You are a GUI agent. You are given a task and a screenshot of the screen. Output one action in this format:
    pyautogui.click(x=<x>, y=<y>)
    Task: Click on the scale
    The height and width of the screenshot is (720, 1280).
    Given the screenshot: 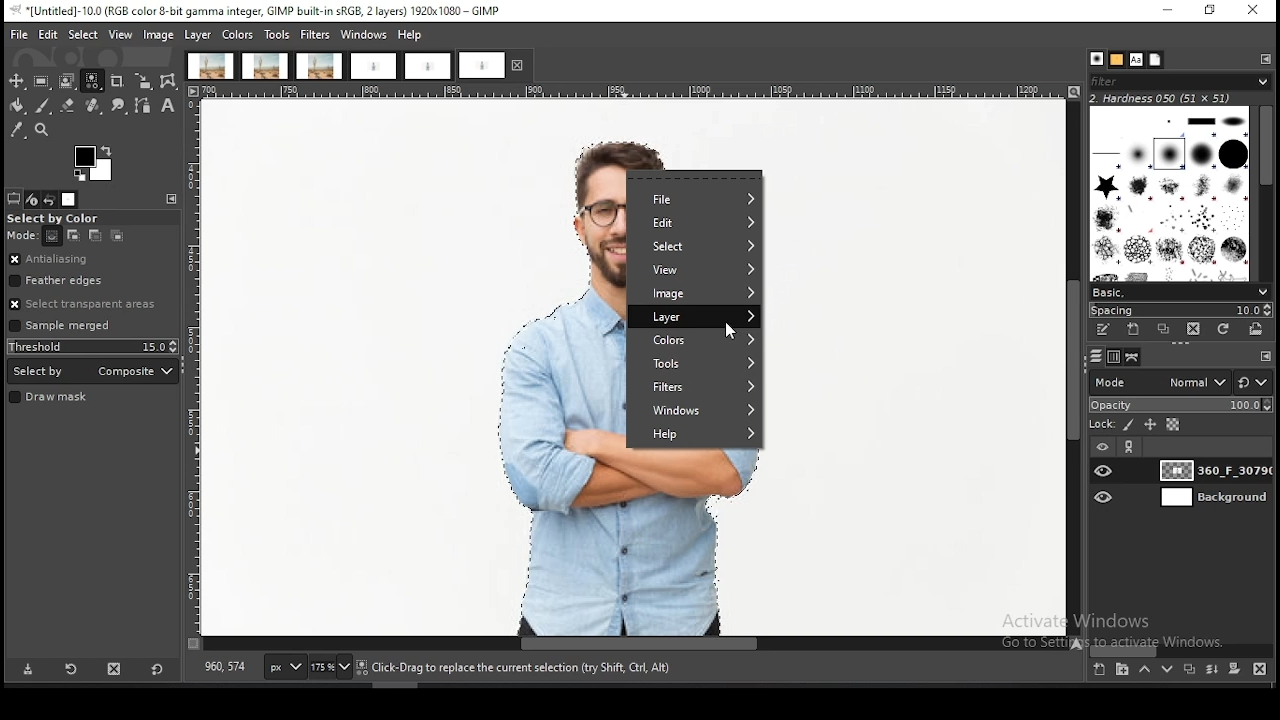 What is the action you would take?
    pyautogui.click(x=637, y=92)
    